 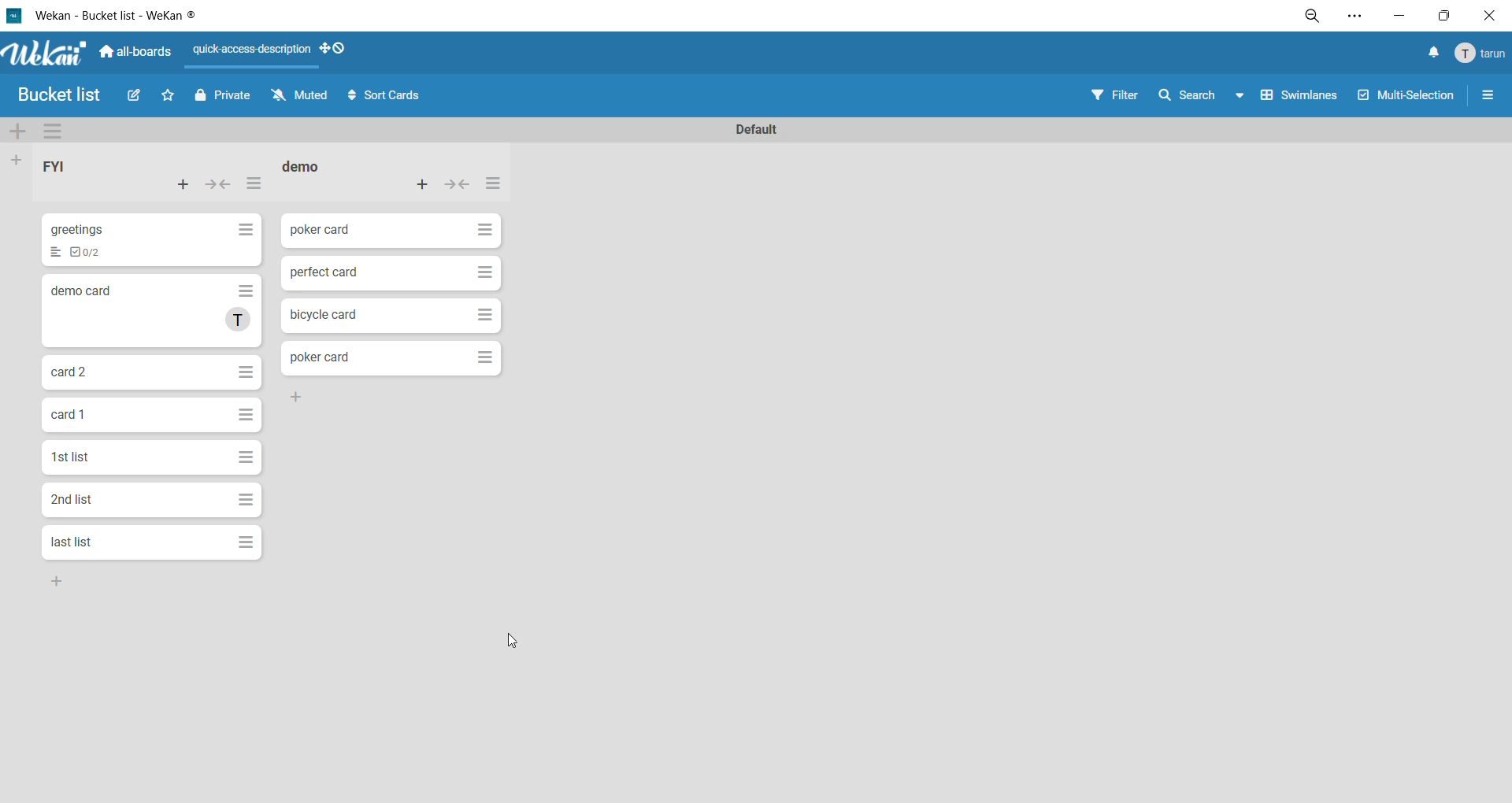 I want to click on quick access description, so click(x=254, y=55).